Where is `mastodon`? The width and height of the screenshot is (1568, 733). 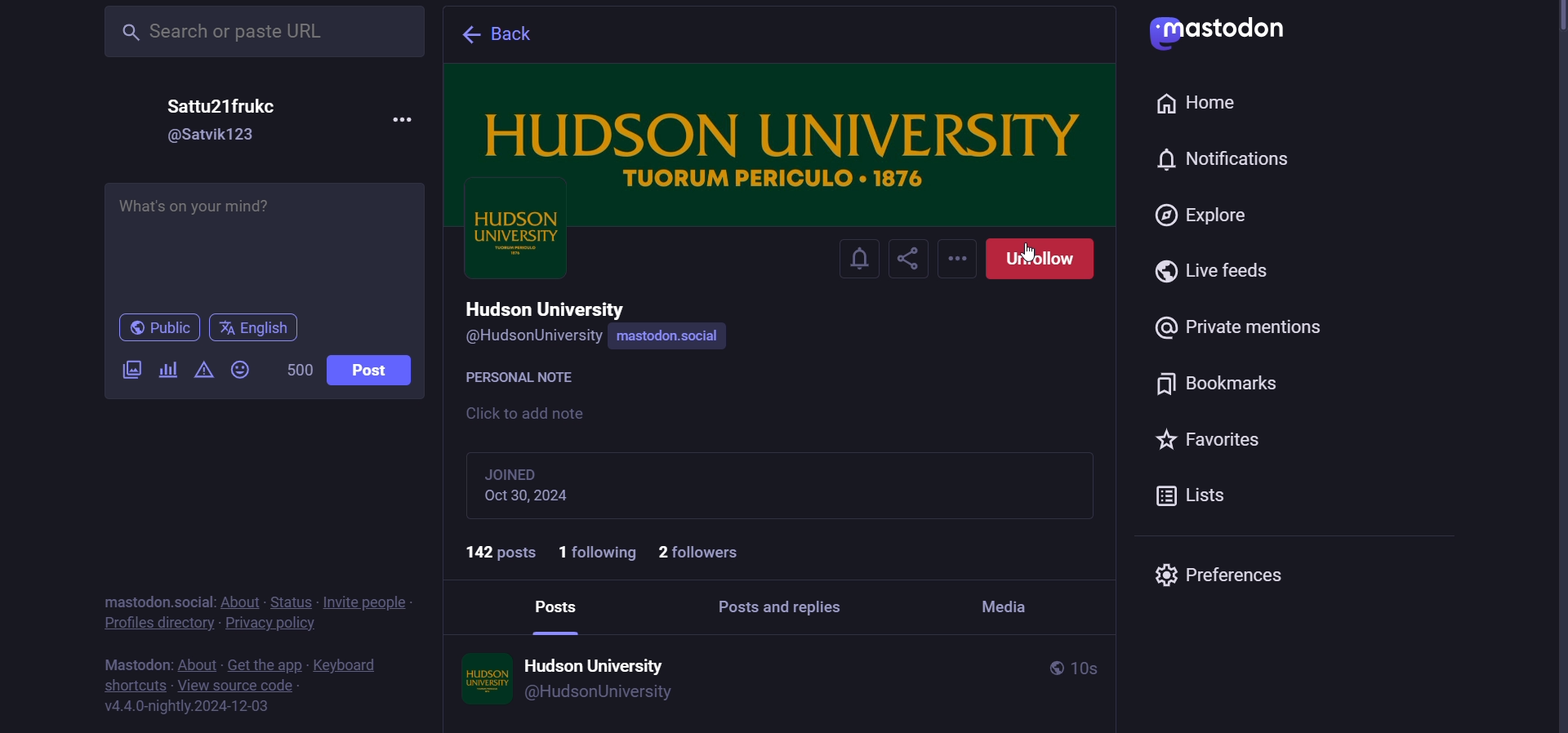 mastodon is located at coordinates (1212, 28).